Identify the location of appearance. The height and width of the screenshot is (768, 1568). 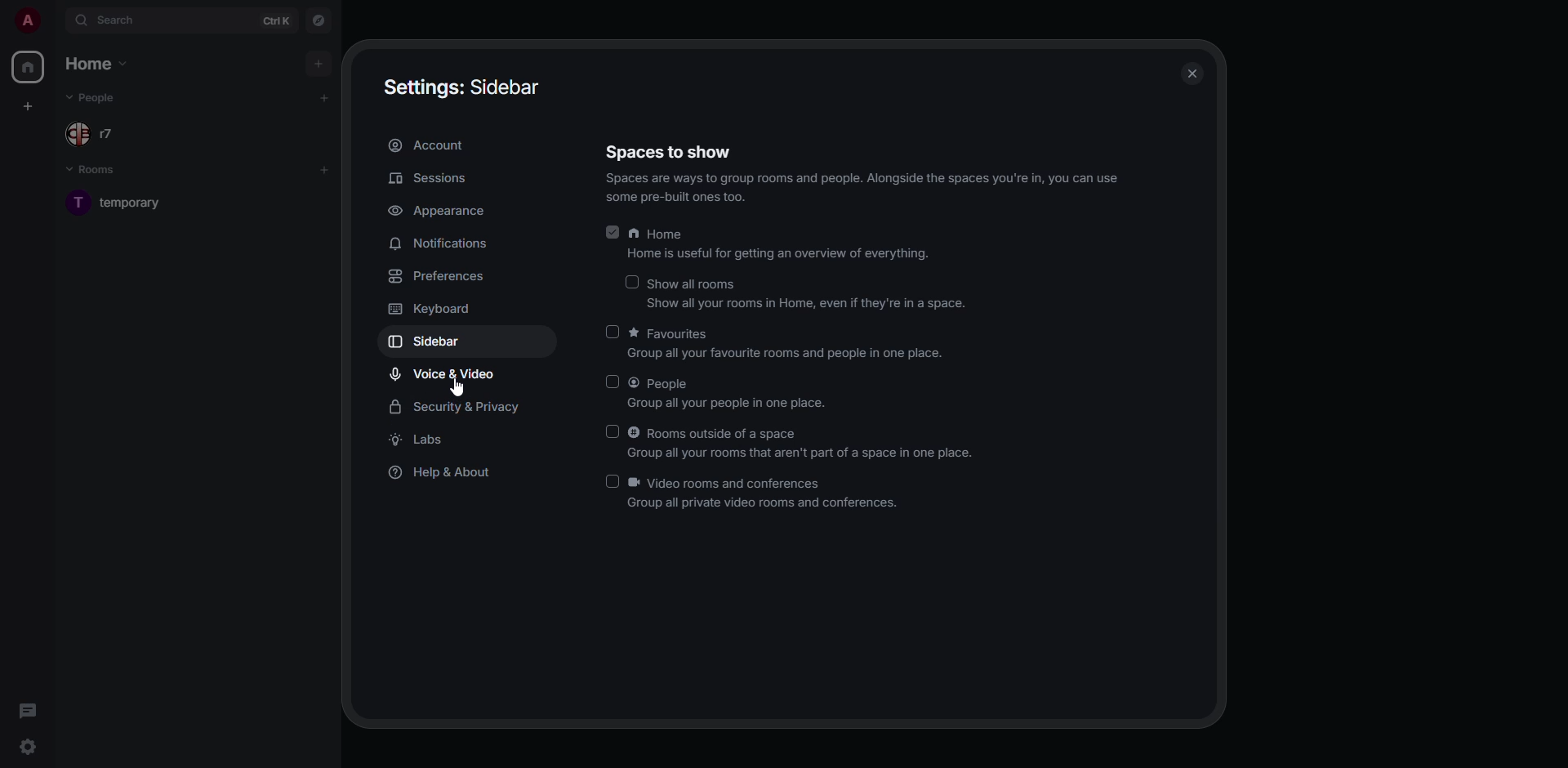
(439, 211).